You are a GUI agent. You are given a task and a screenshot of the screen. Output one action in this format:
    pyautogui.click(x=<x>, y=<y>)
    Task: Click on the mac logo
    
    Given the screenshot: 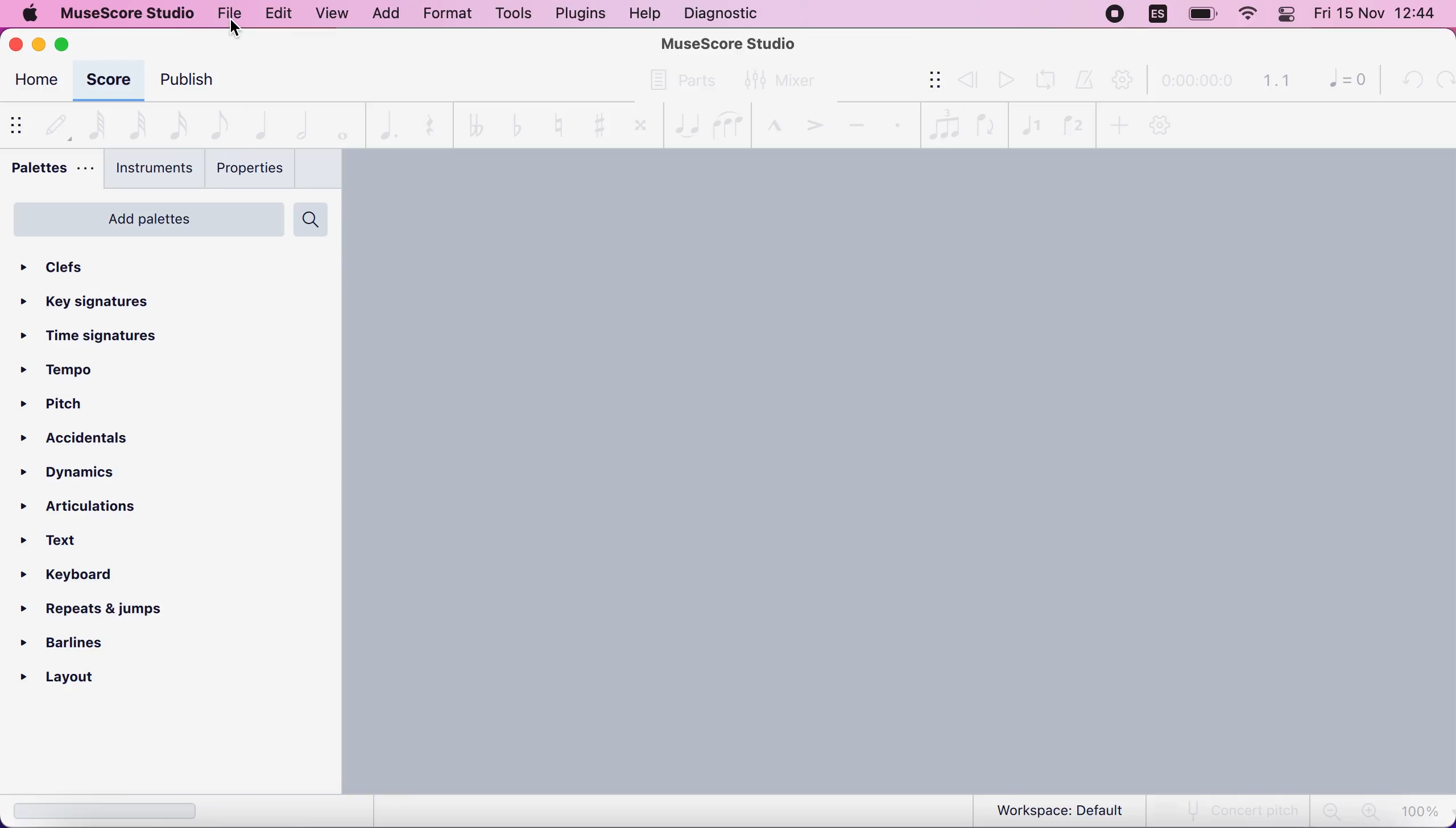 What is the action you would take?
    pyautogui.click(x=30, y=15)
    